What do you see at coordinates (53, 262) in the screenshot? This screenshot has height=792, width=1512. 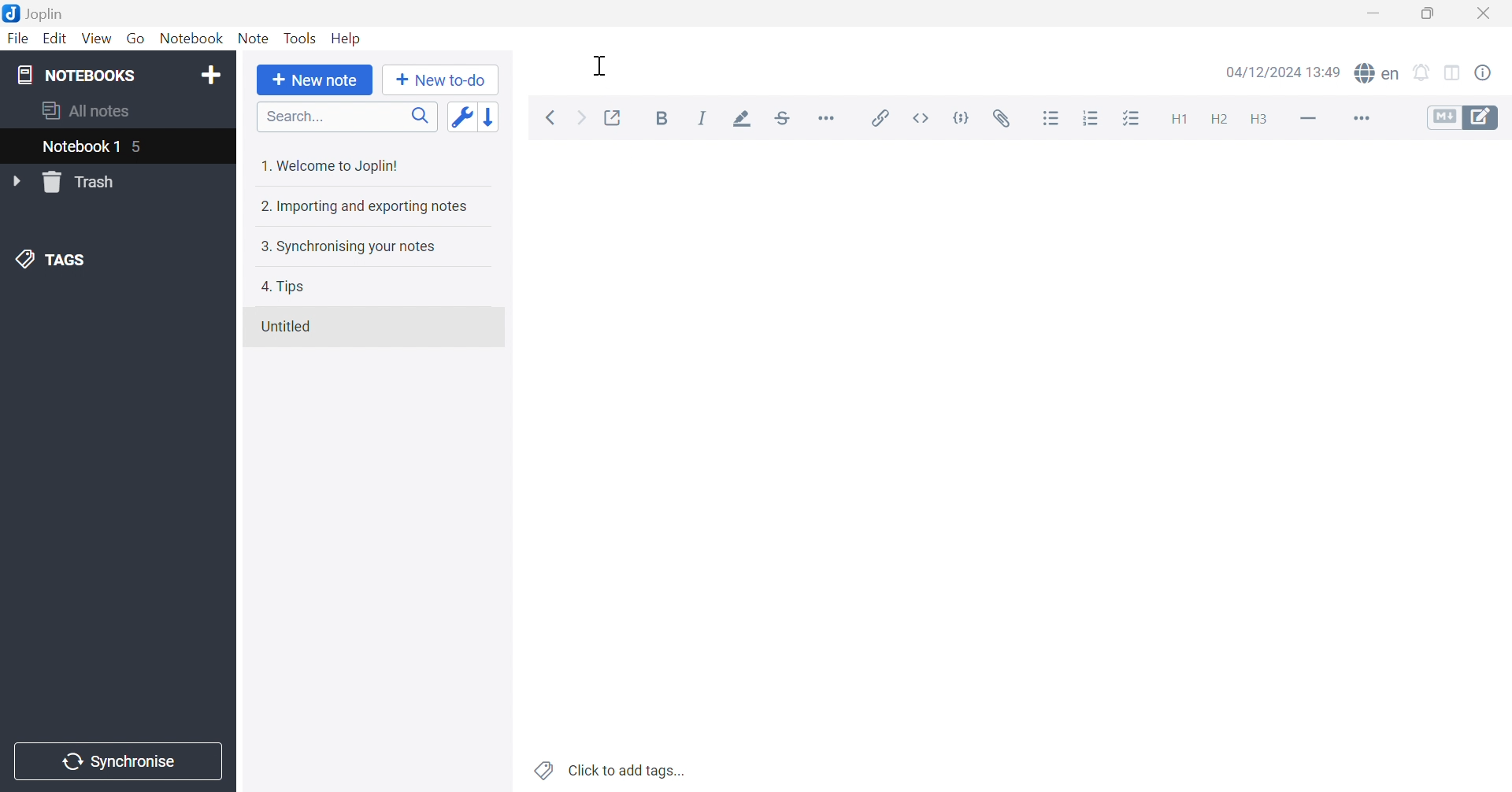 I see `TAGS` at bounding box center [53, 262].